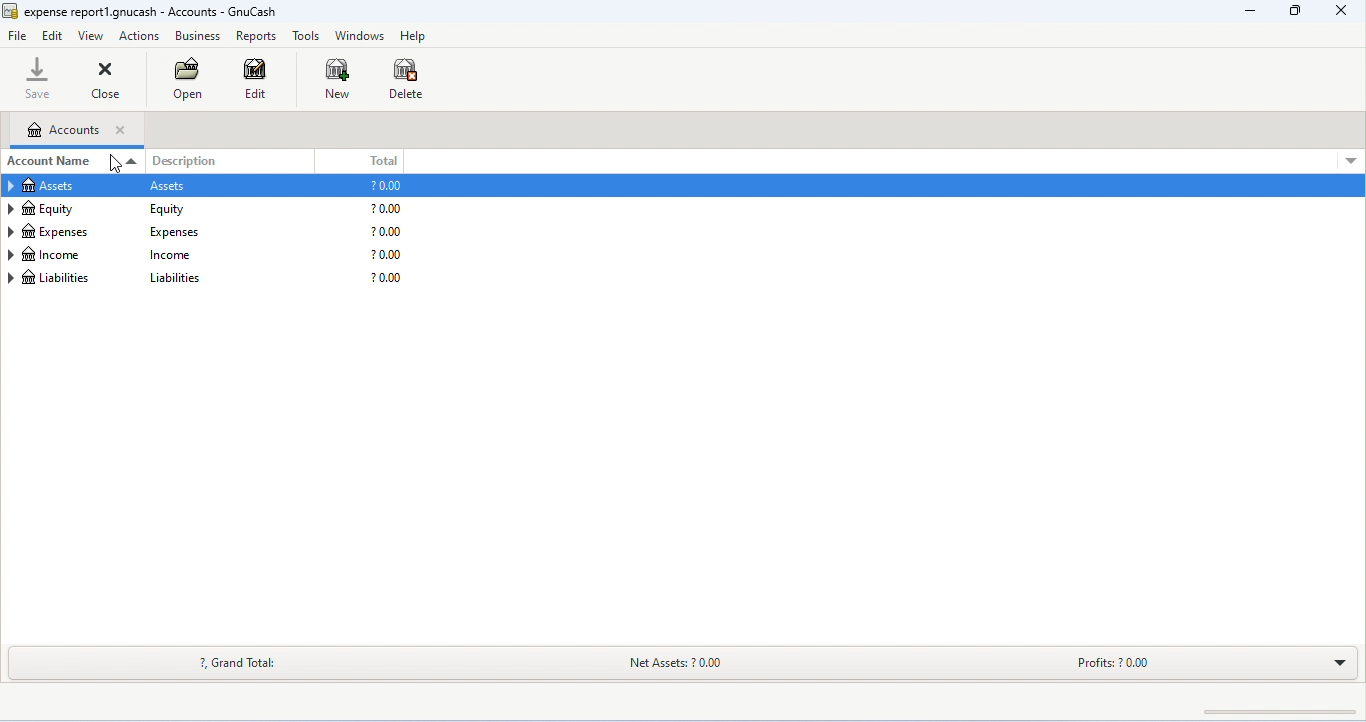  What do you see at coordinates (172, 210) in the screenshot?
I see `equity description` at bounding box center [172, 210].